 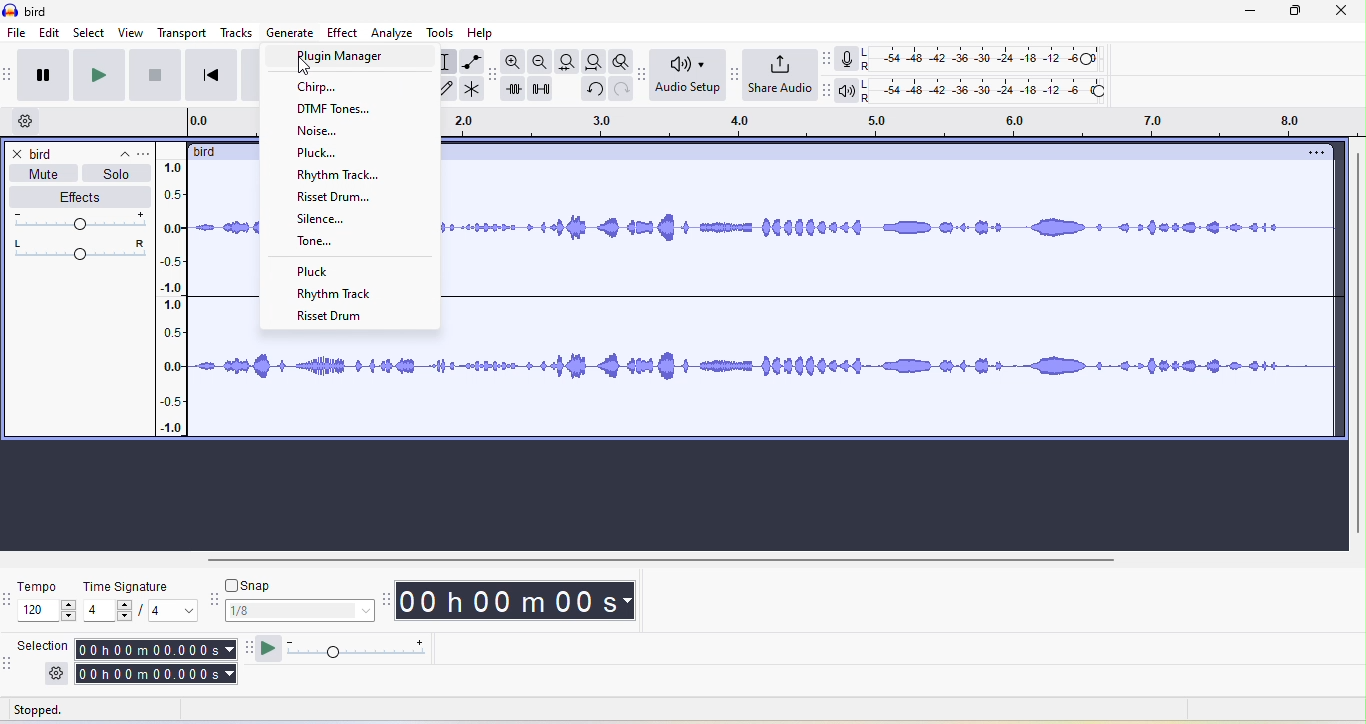 What do you see at coordinates (268, 650) in the screenshot?
I see `play at speed` at bounding box center [268, 650].